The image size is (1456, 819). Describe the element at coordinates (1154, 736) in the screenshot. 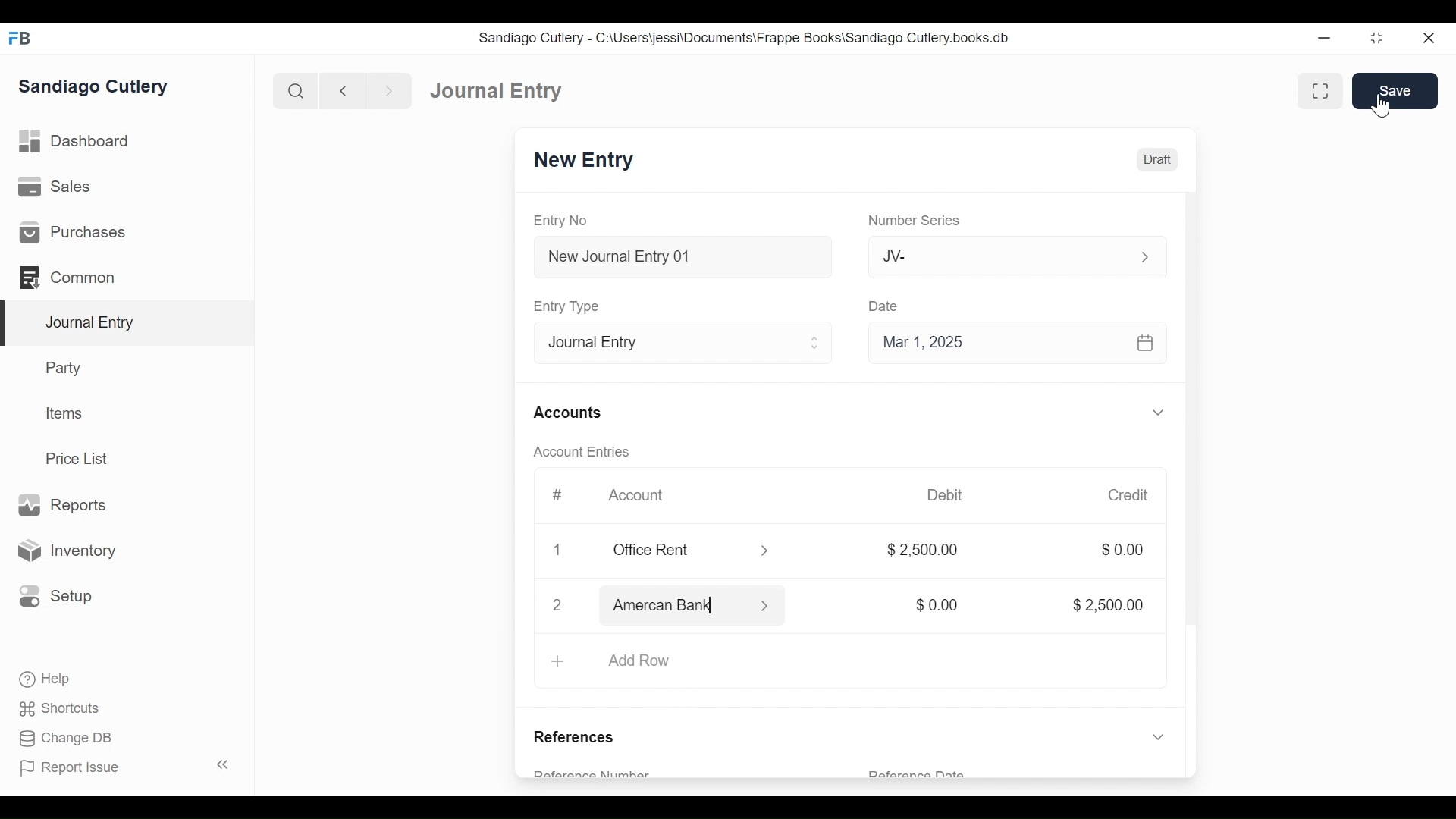

I see `expand/collapse` at that location.